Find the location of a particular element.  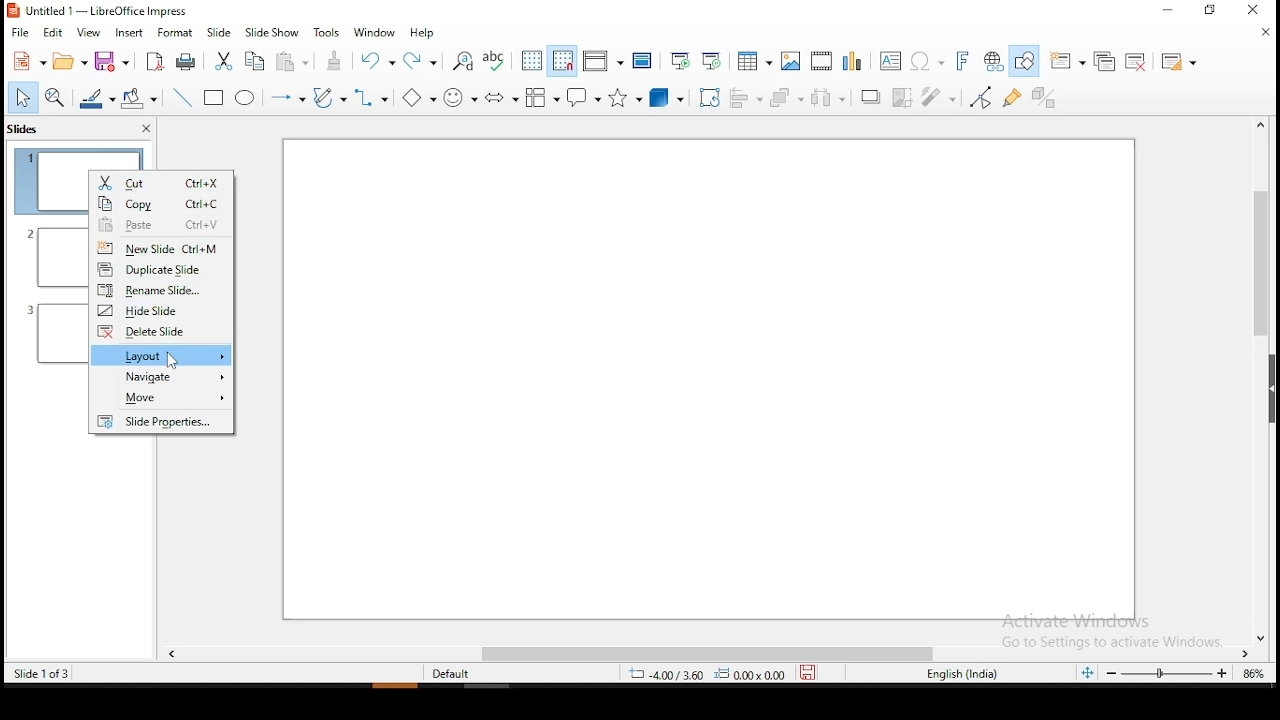

find and replace is located at coordinates (464, 64).